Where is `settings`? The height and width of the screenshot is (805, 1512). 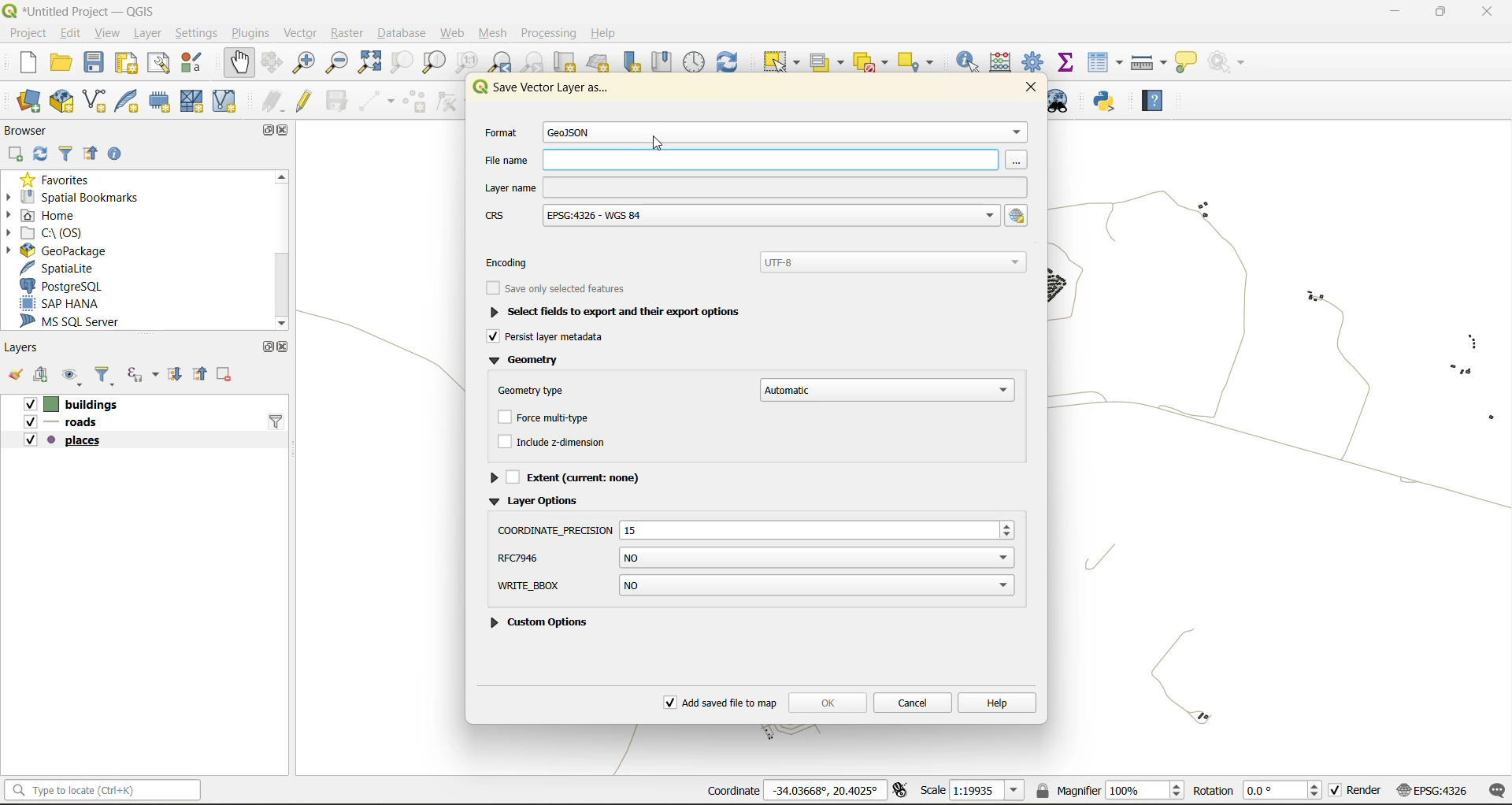
settings is located at coordinates (198, 31).